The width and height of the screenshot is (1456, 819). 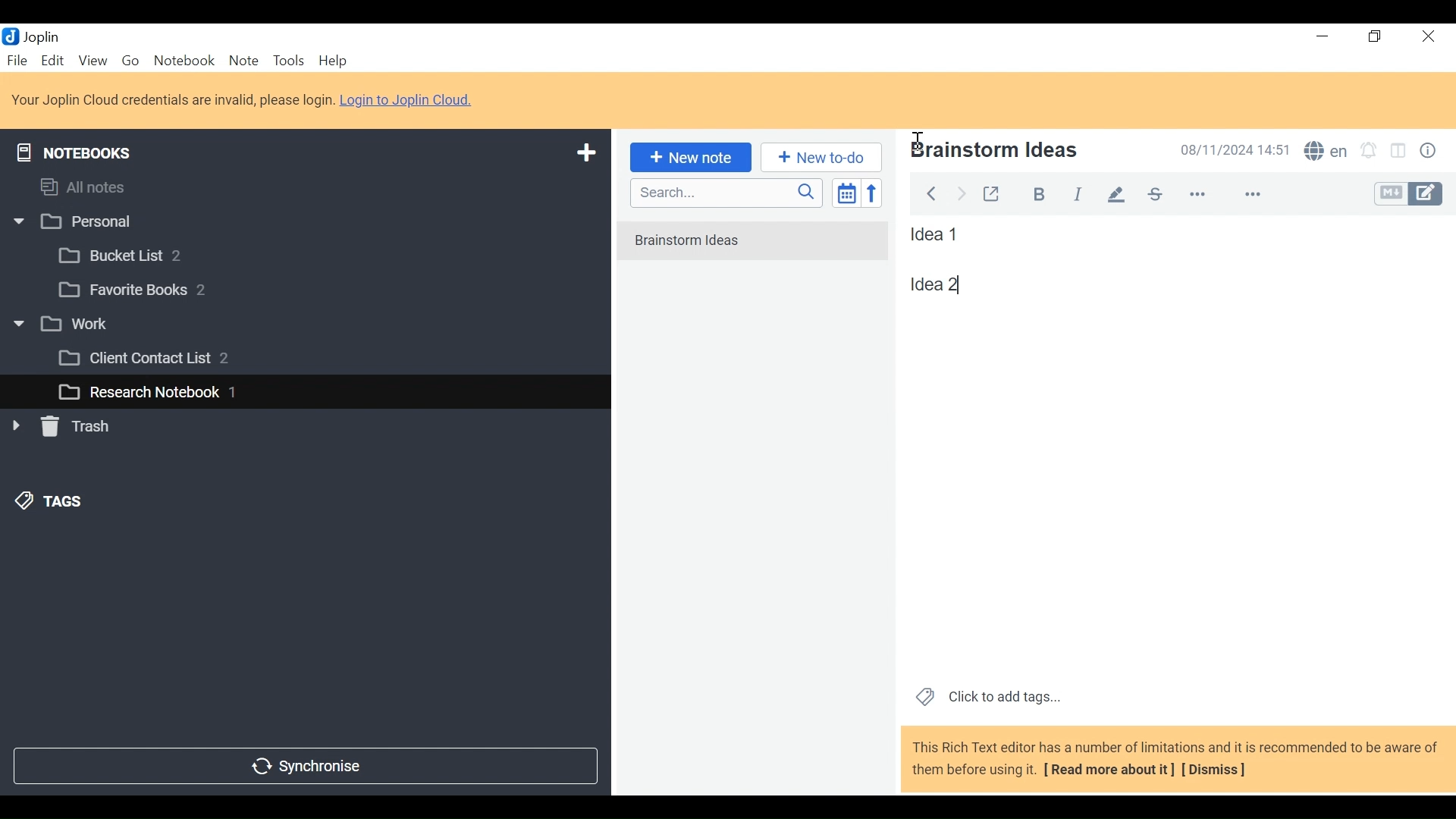 I want to click on Toggle Editor, so click(x=1410, y=194).